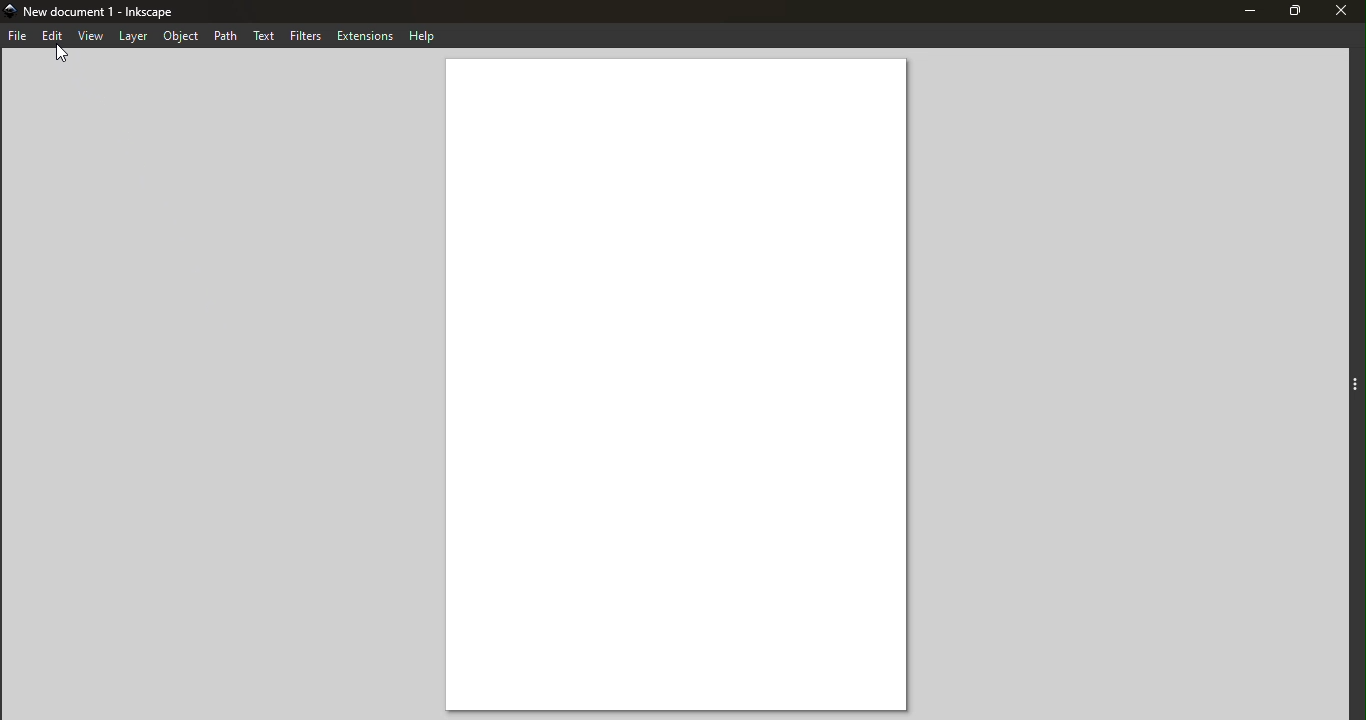 Image resolution: width=1366 pixels, height=720 pixels. What do you see at coordinates (19, 37) in the screenshot?
I see `File` at bounding box center [19, 37].